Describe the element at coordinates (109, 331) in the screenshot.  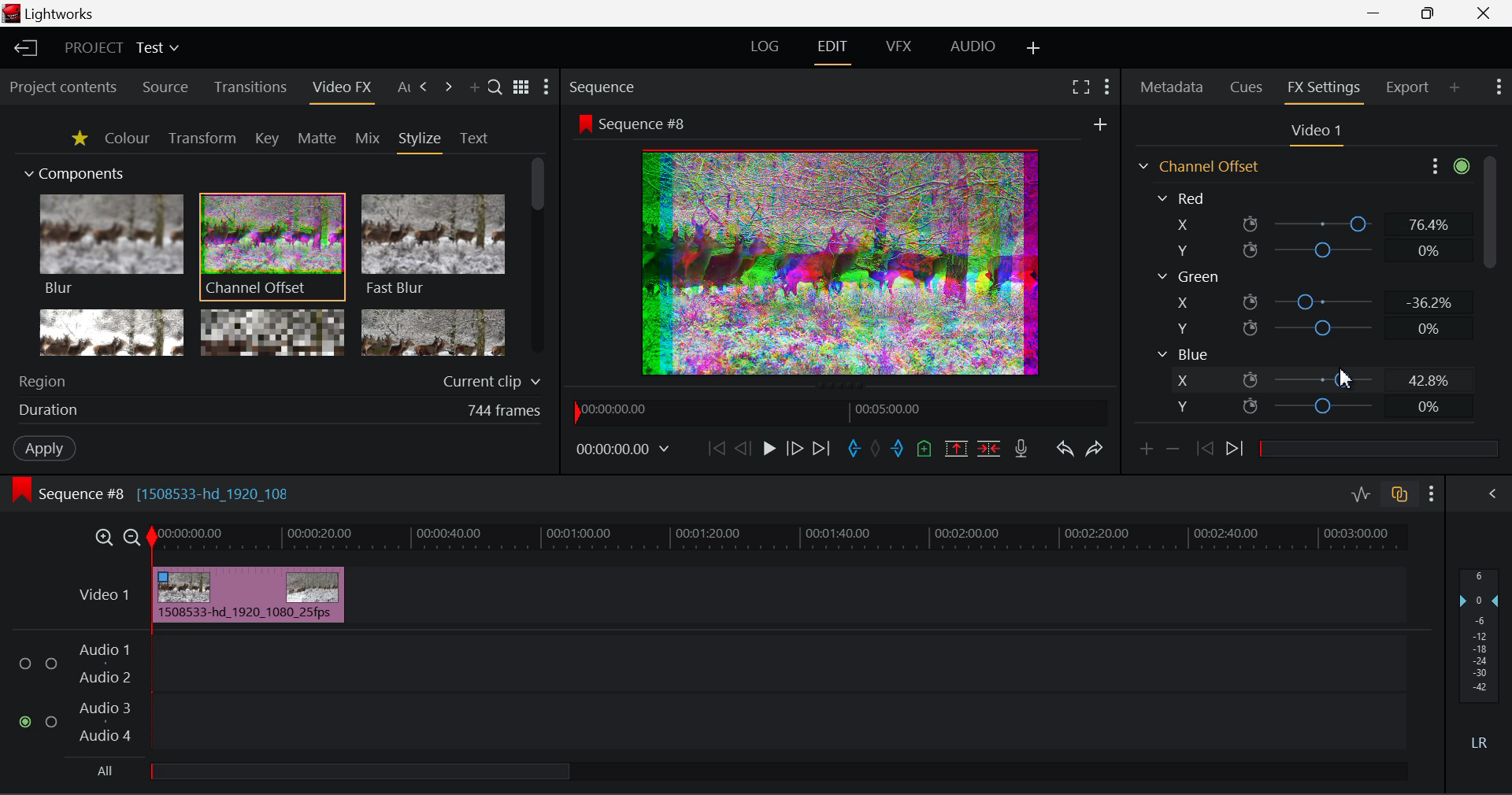
I see `Glow` at that location.